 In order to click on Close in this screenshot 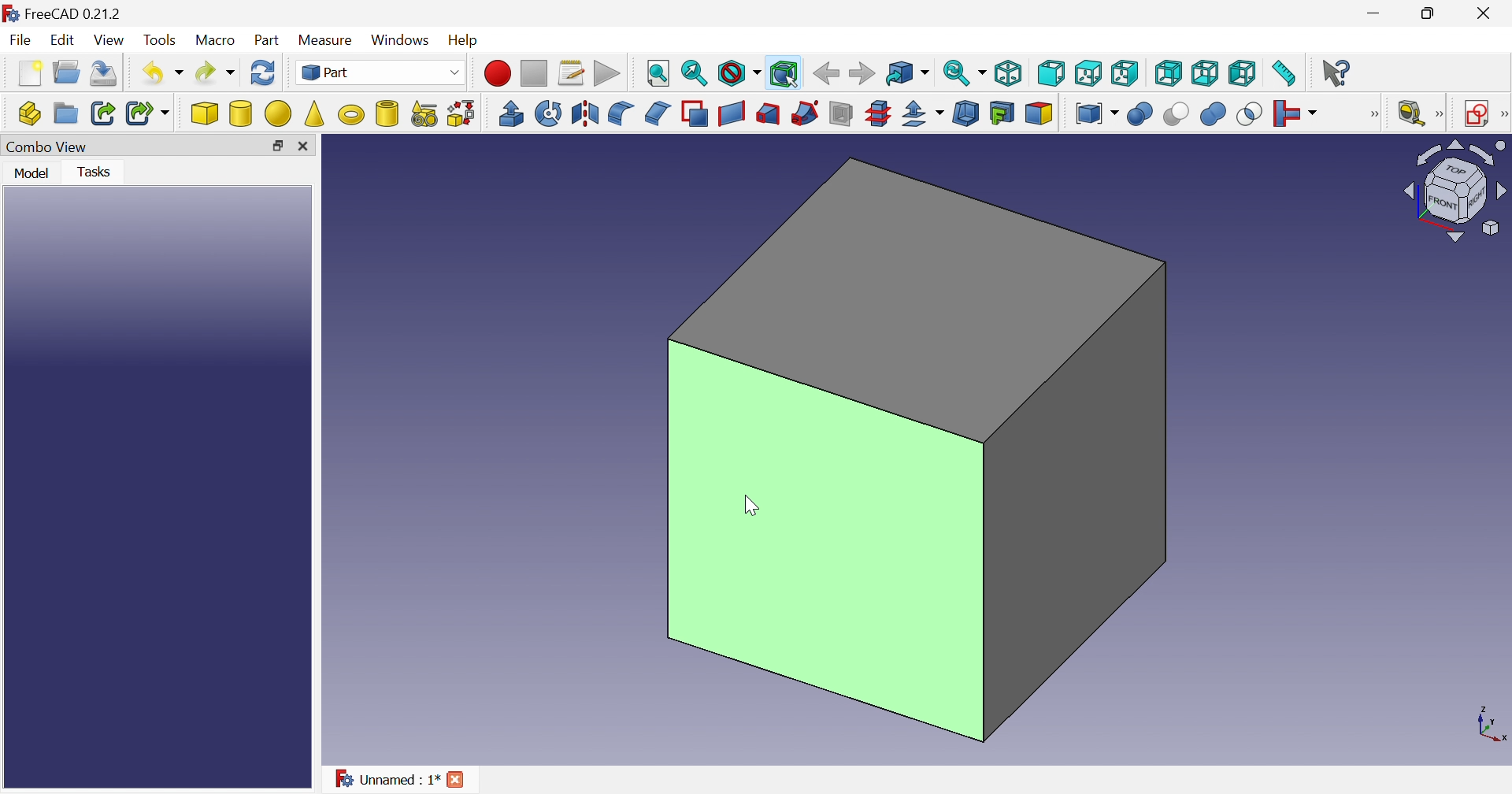, I will do `click(308, 147)`.